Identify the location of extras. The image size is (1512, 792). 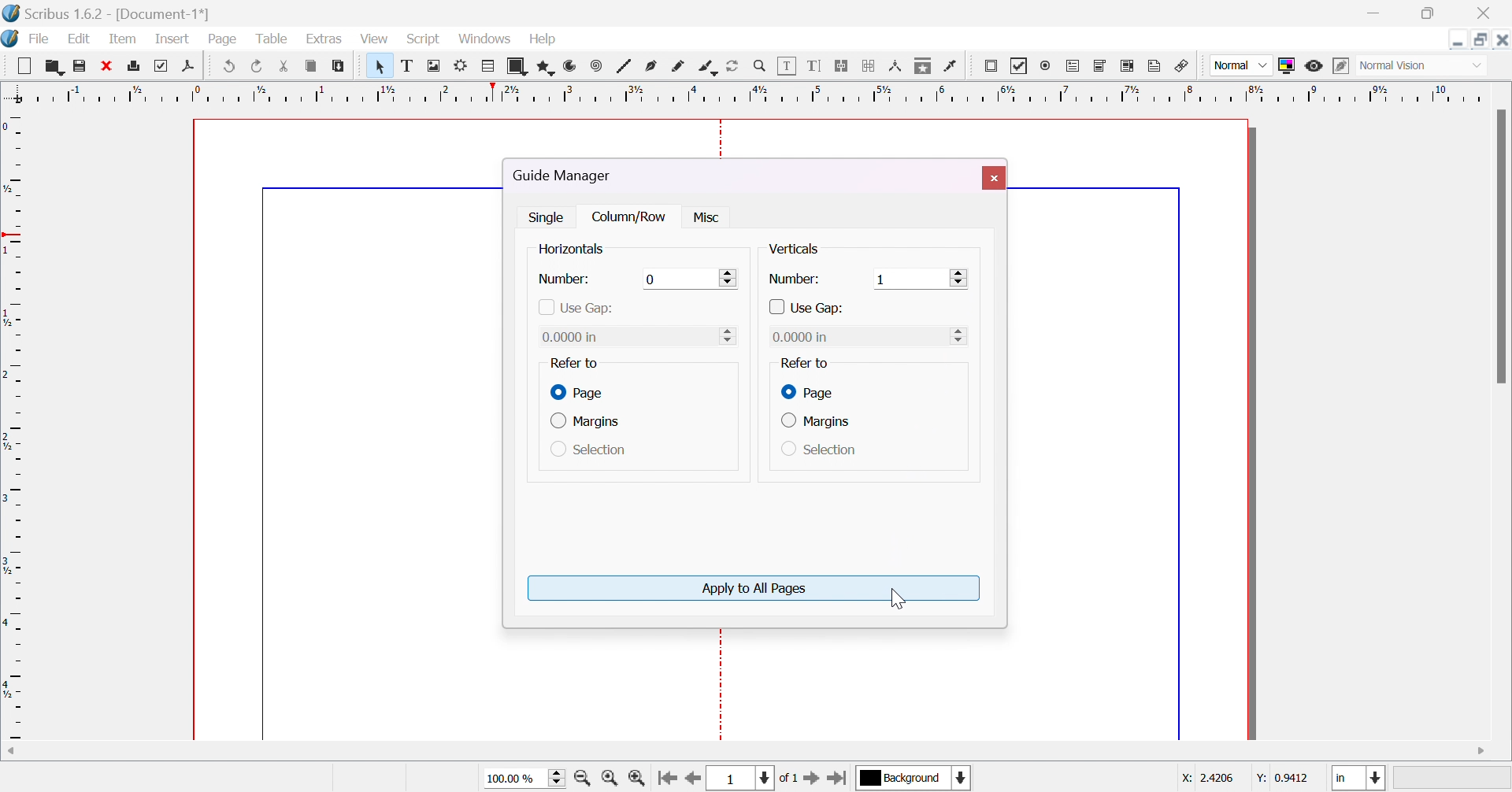
(330, 39).